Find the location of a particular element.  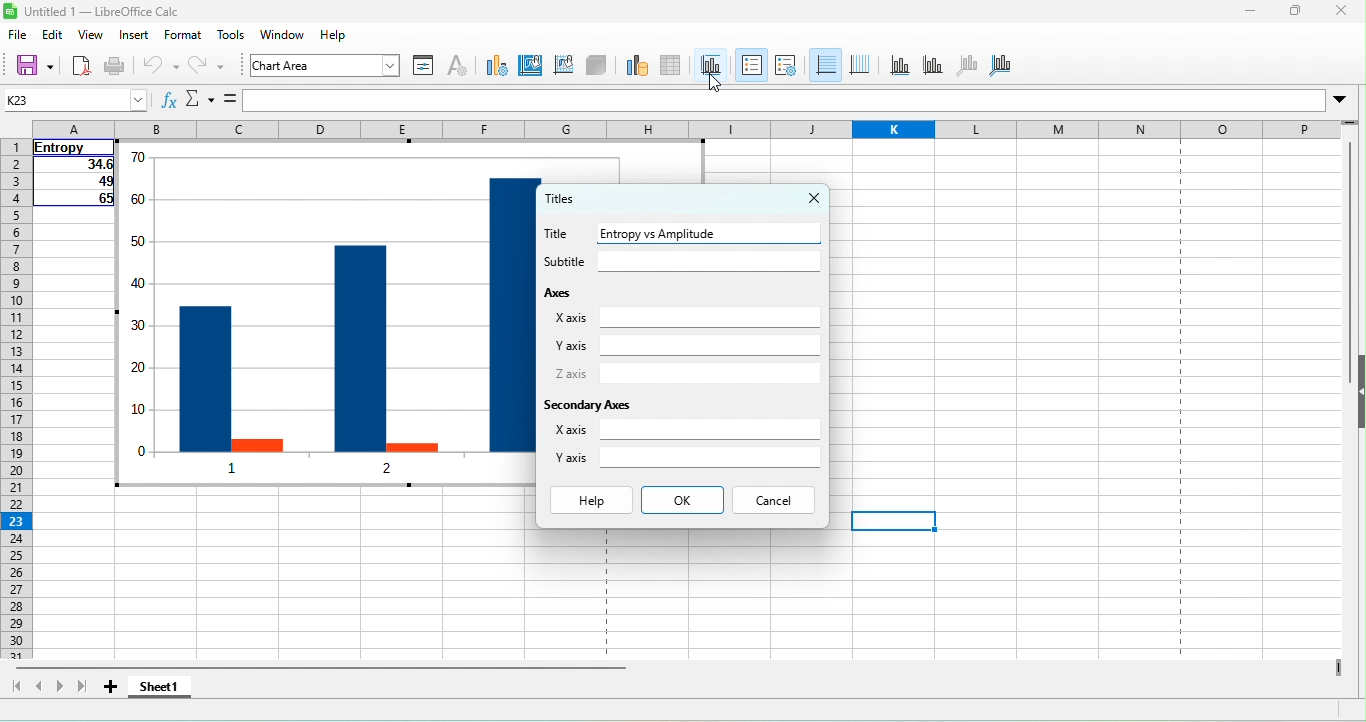

maximize is located at coordinates (1299, 10).